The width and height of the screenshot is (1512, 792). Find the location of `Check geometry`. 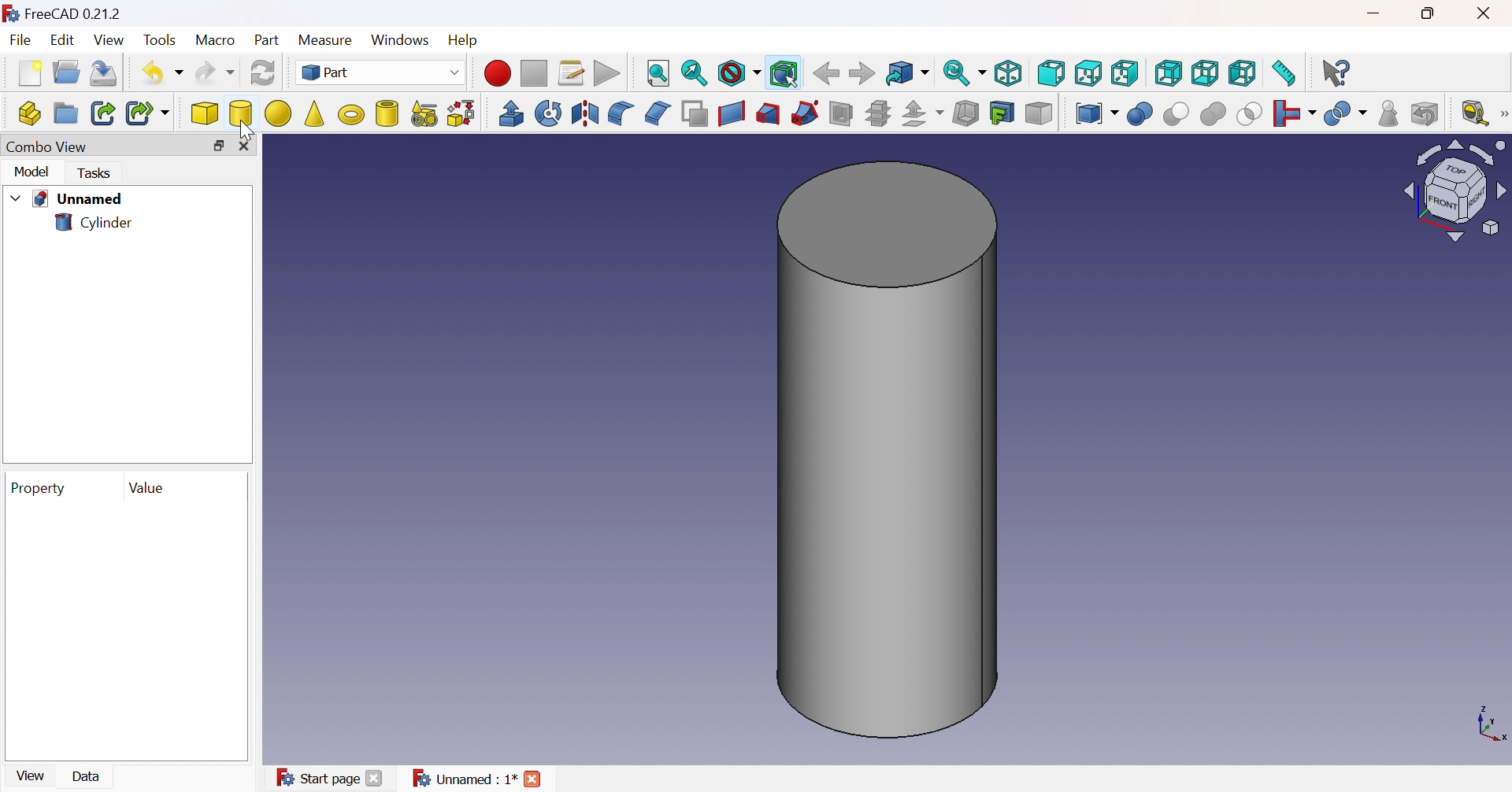

Check geometry is located at coordinates (1388, 113).